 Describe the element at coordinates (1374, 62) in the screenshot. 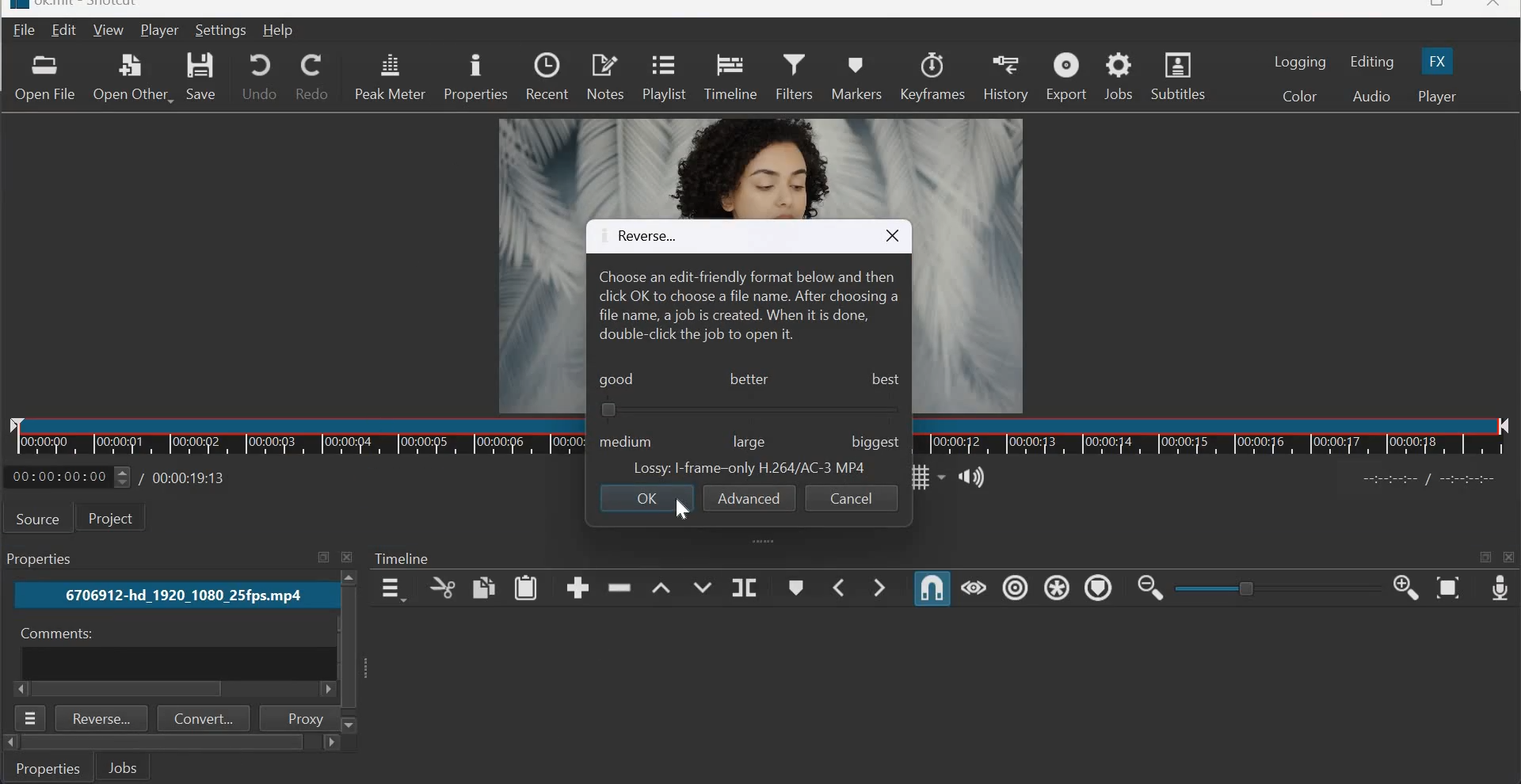

I see `Editing` at that location.